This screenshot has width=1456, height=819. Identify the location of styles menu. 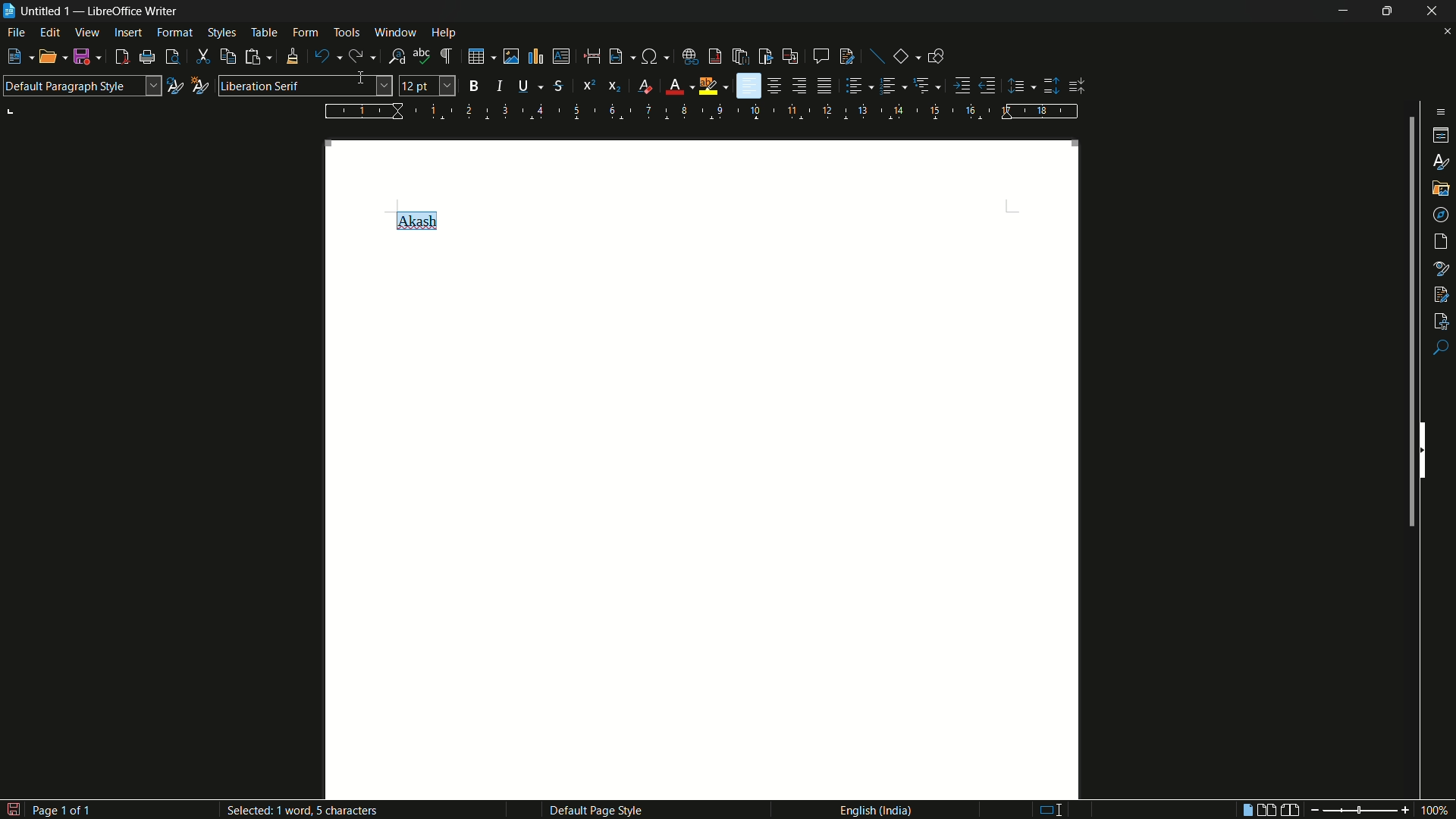
(221, 33).